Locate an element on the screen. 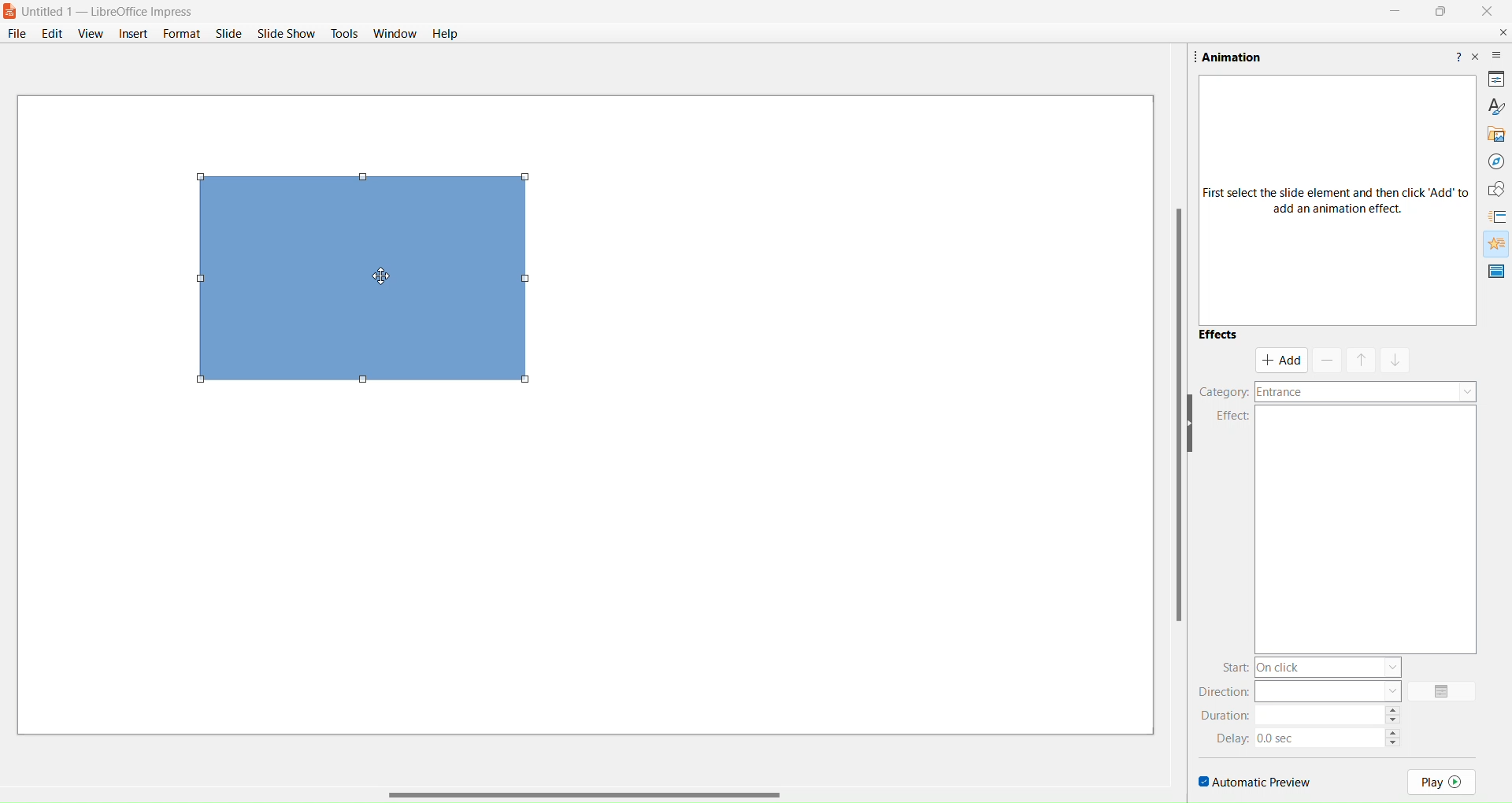 The image size is (1512, 803). close document is located at coordinates (1499, 32).